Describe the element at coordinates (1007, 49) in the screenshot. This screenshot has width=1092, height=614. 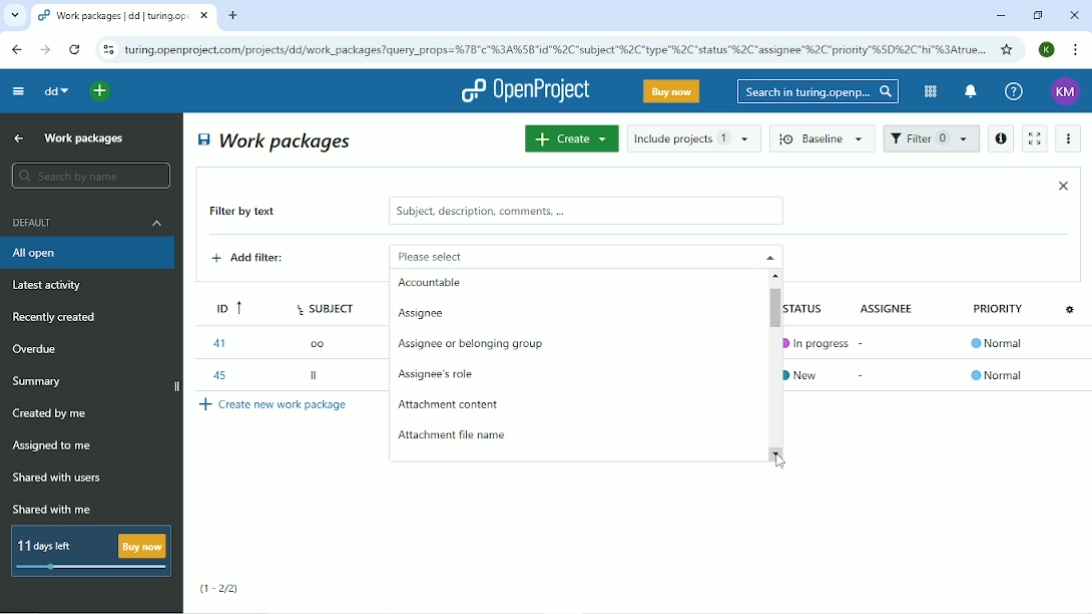
I see `Bookmark this tab` at that location.